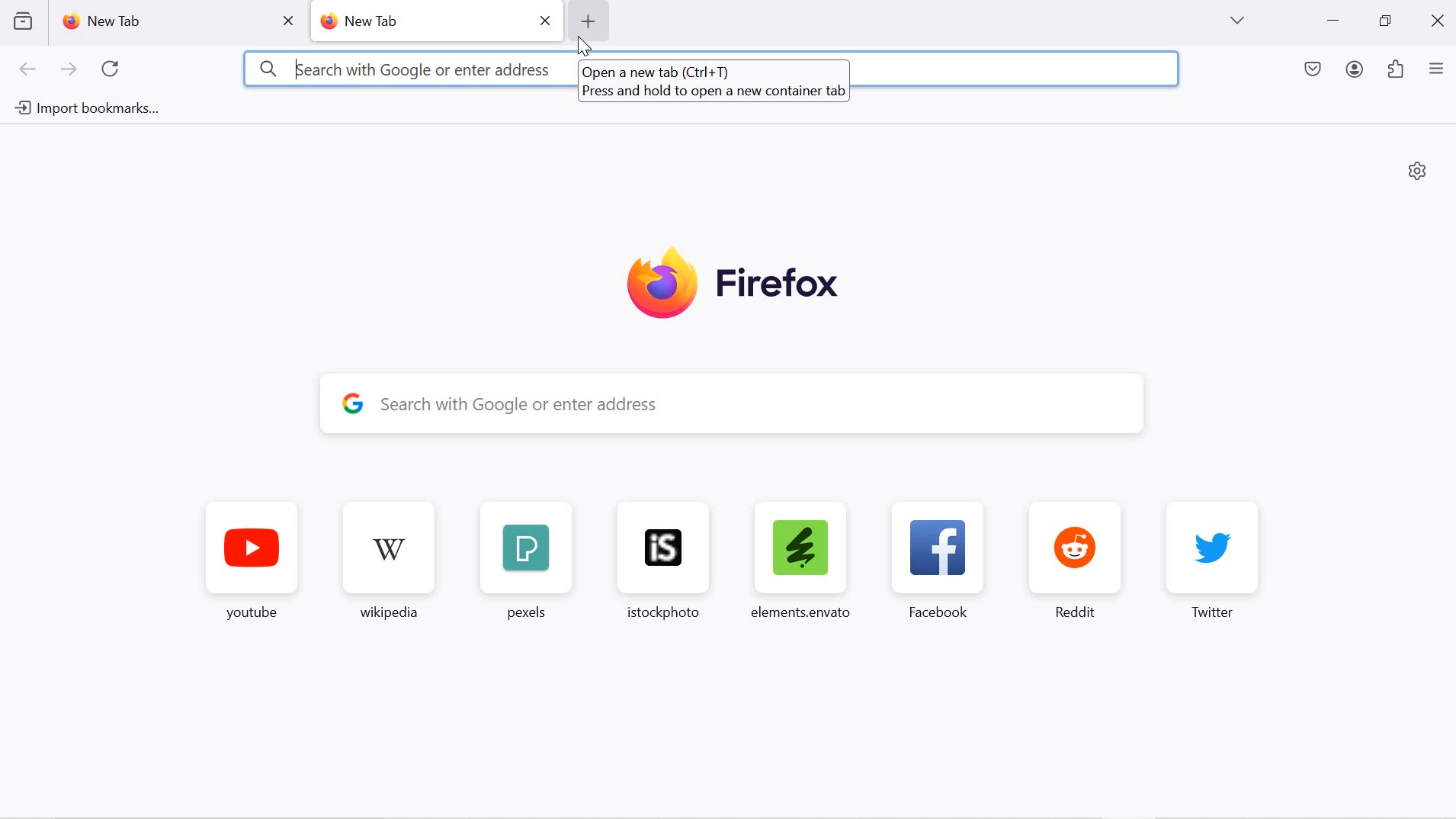 This screenshot has height=819, width=1456. Describe the element at coordinates (1314, 71) in the screenshot. I see `save to pocket` at that location.